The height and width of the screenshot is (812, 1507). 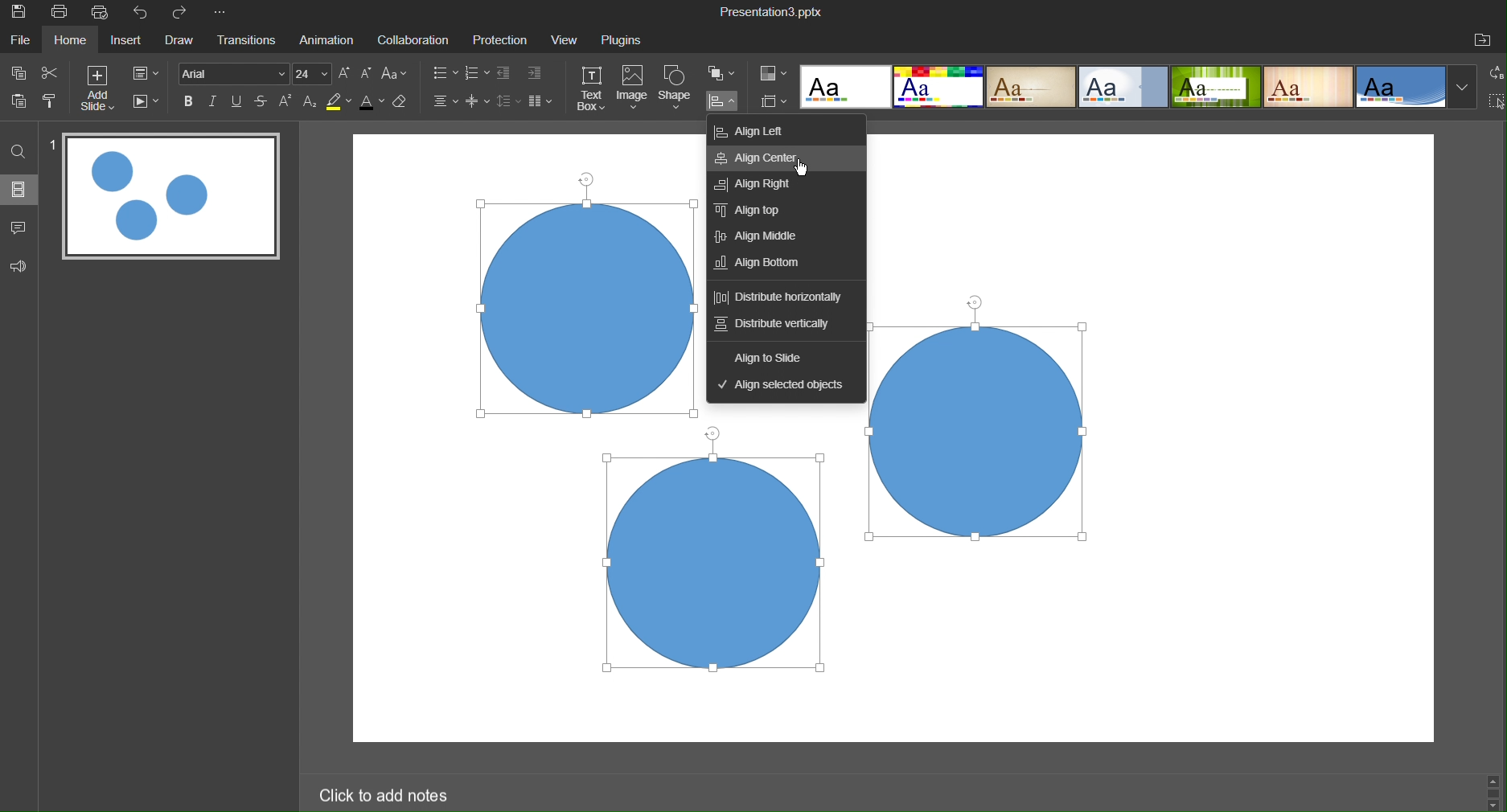 I want to click on Paste, so click(x=18, y=107).